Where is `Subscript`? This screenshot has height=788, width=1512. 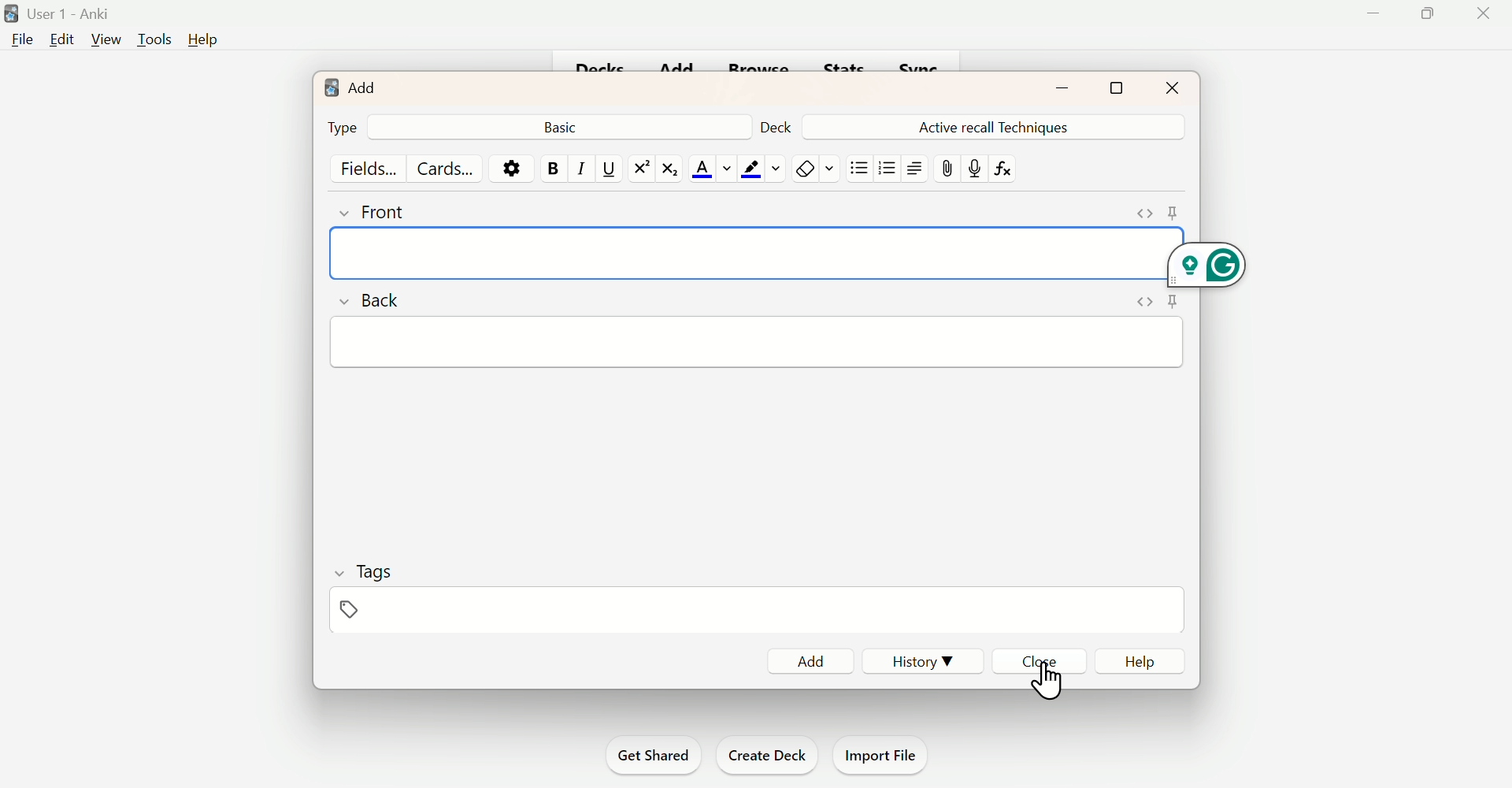
Subscript is located at coordinates (669, 169).